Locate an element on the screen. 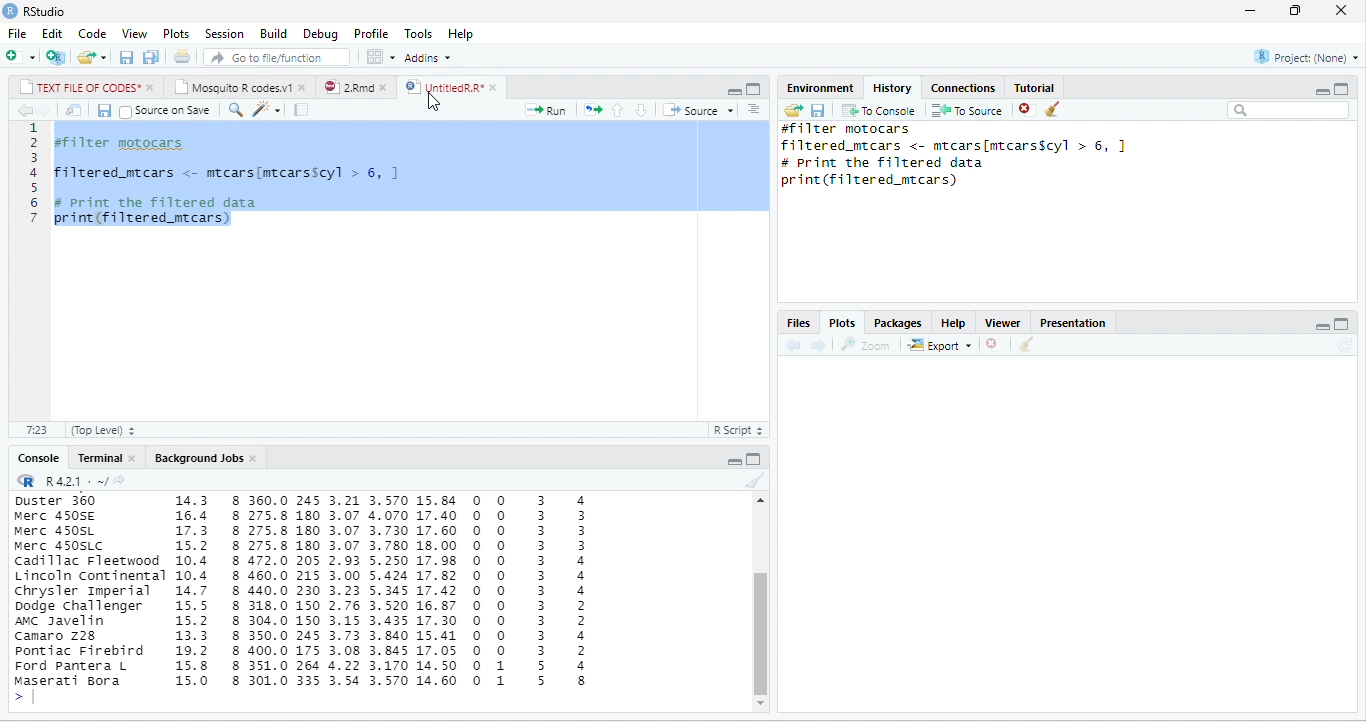  resize is located at coordinates (1292, 11).